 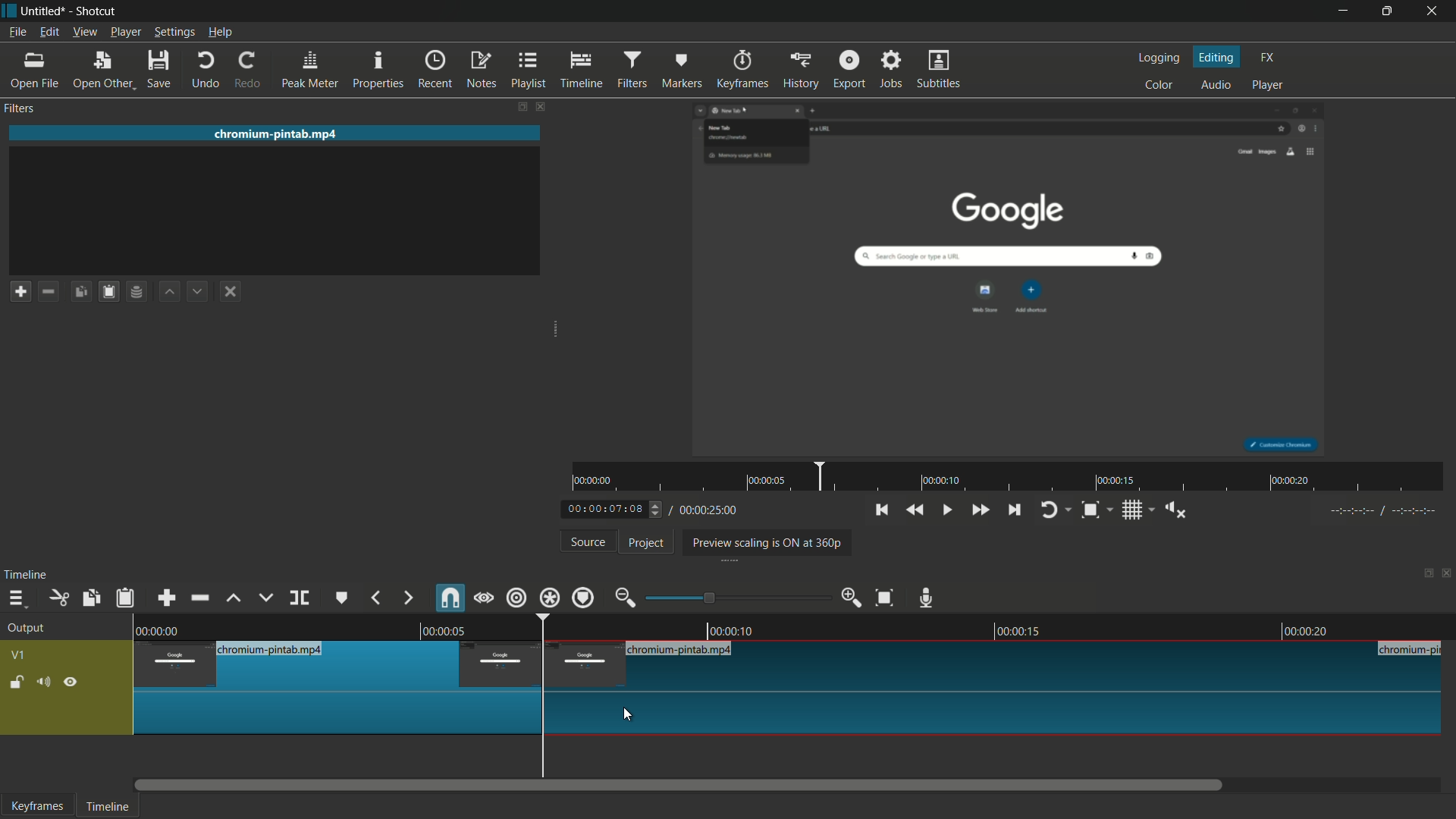 I want to click on editing, so click(x=1218, y=58).